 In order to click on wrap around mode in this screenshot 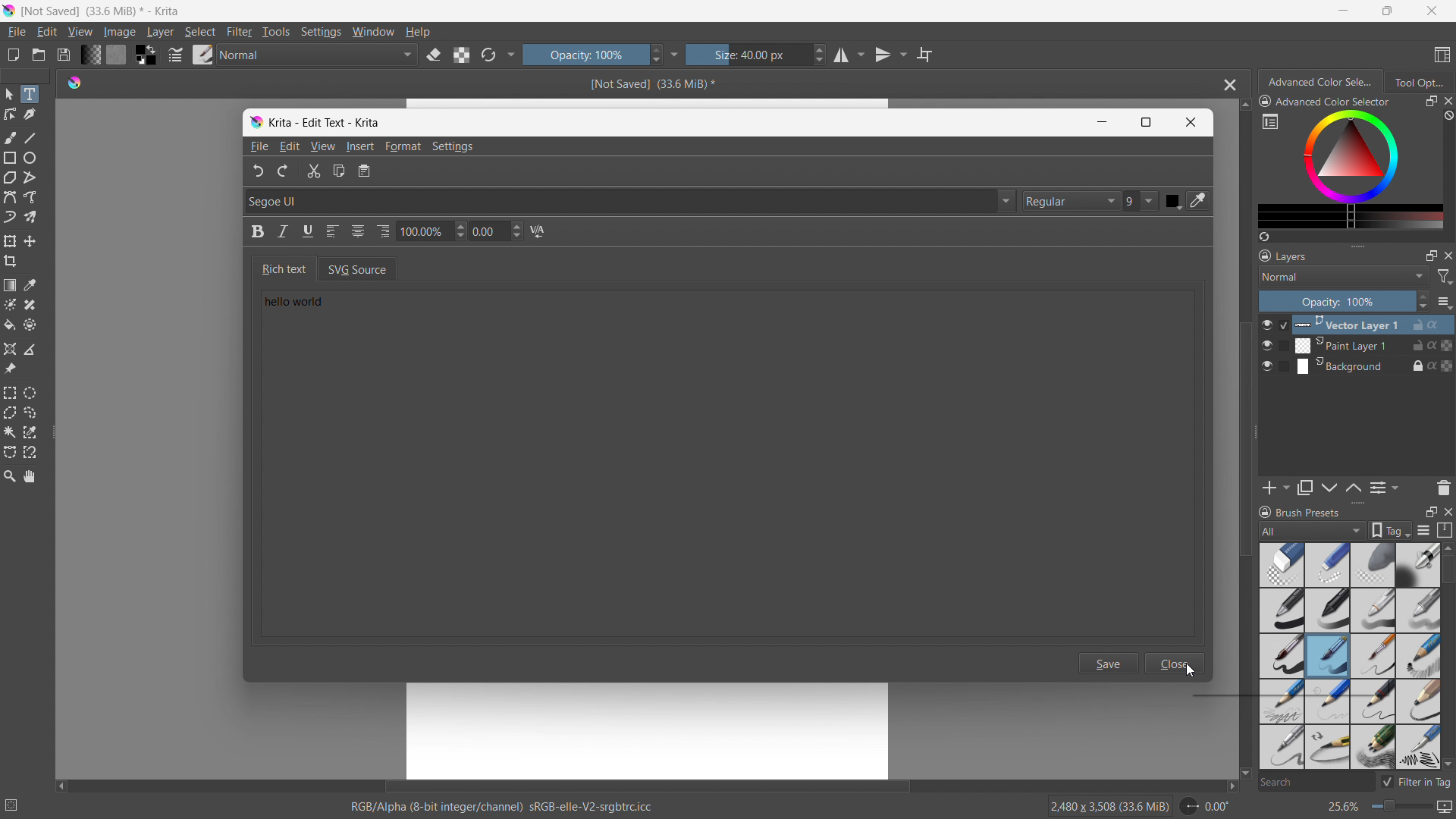, I will do `click(925, 54)`.